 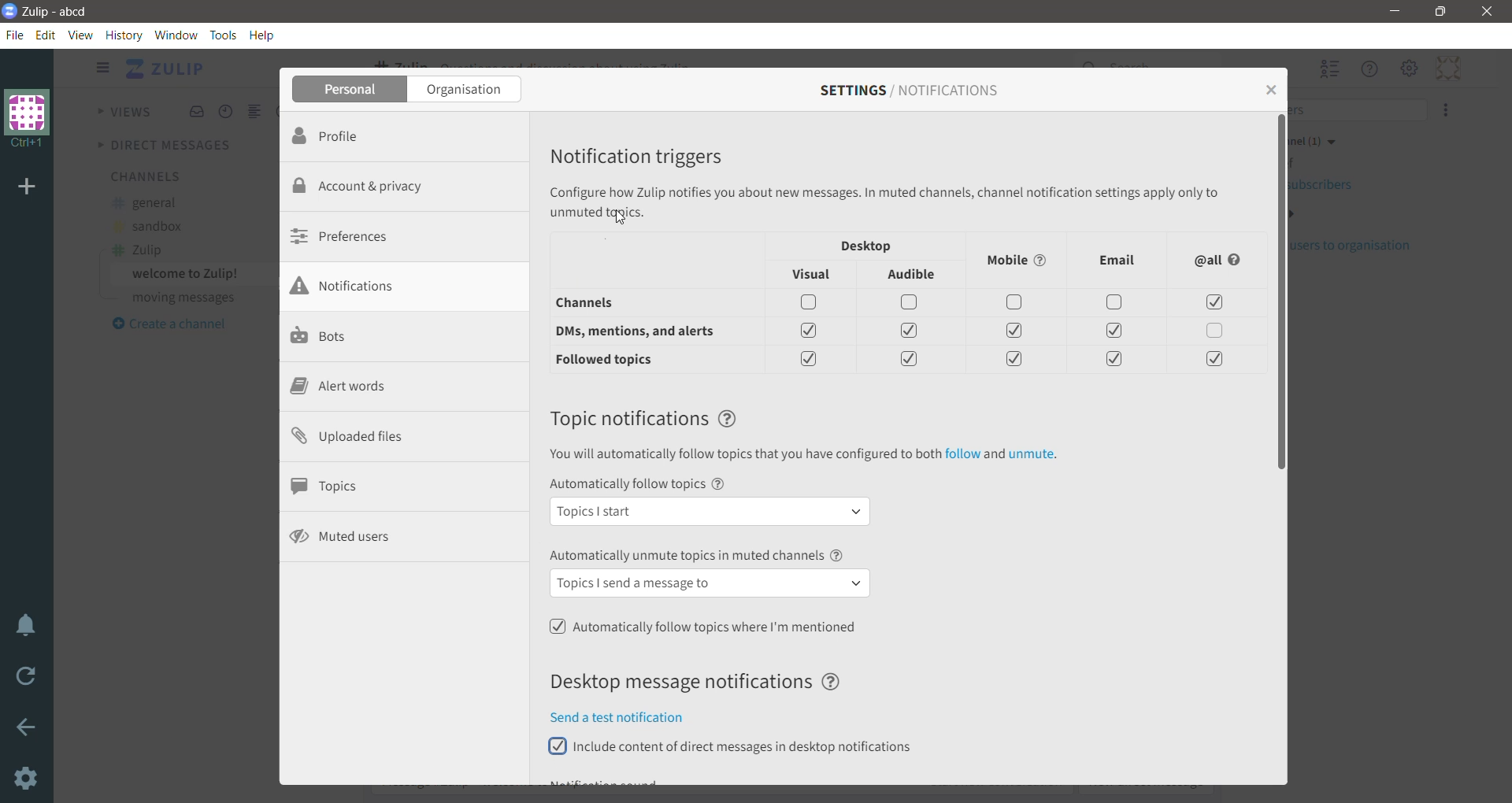 I want to click on email, so click(x=1117, y=260).